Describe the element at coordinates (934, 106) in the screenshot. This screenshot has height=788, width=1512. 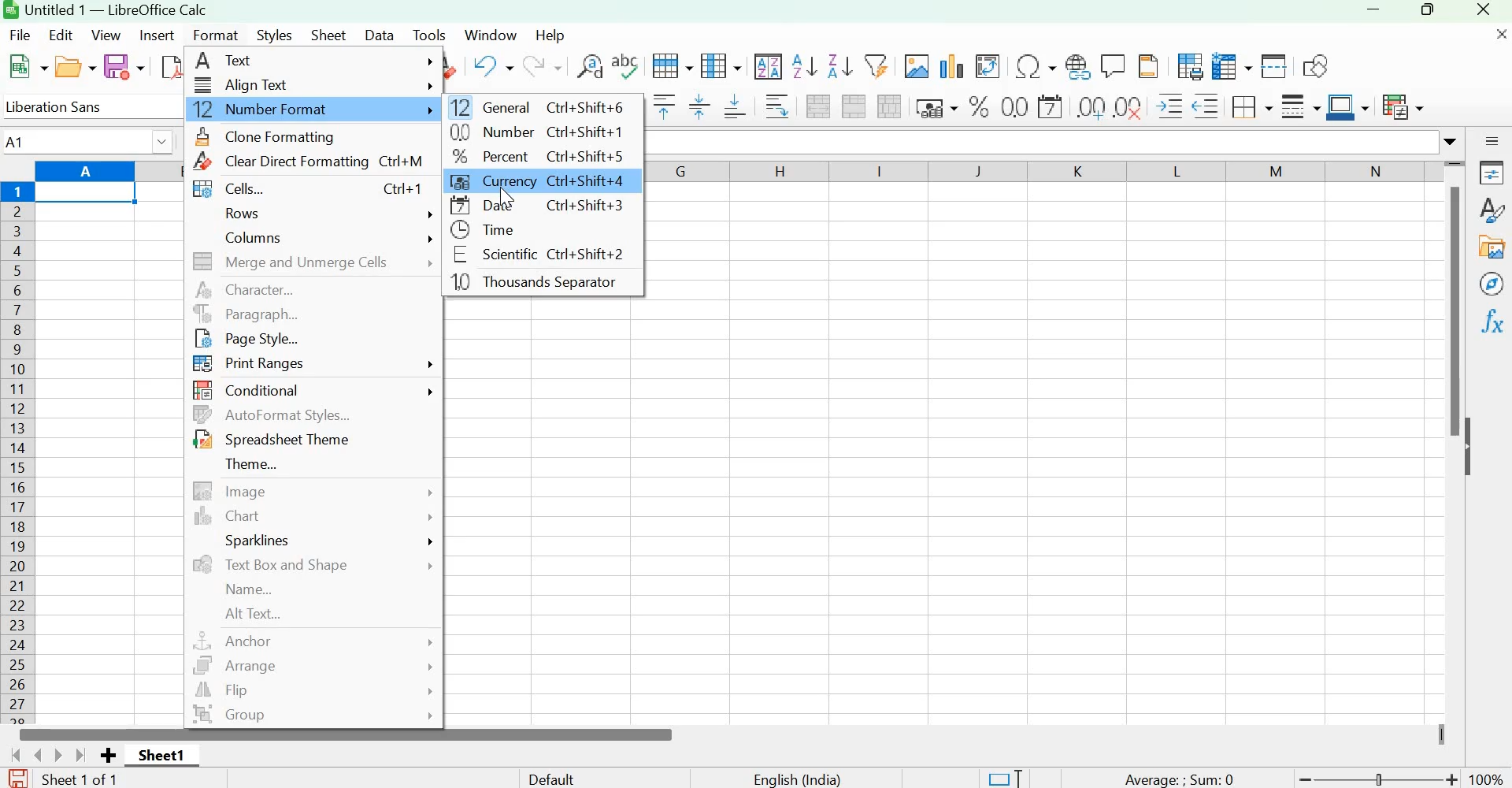
I see `Format as currency` at that location.